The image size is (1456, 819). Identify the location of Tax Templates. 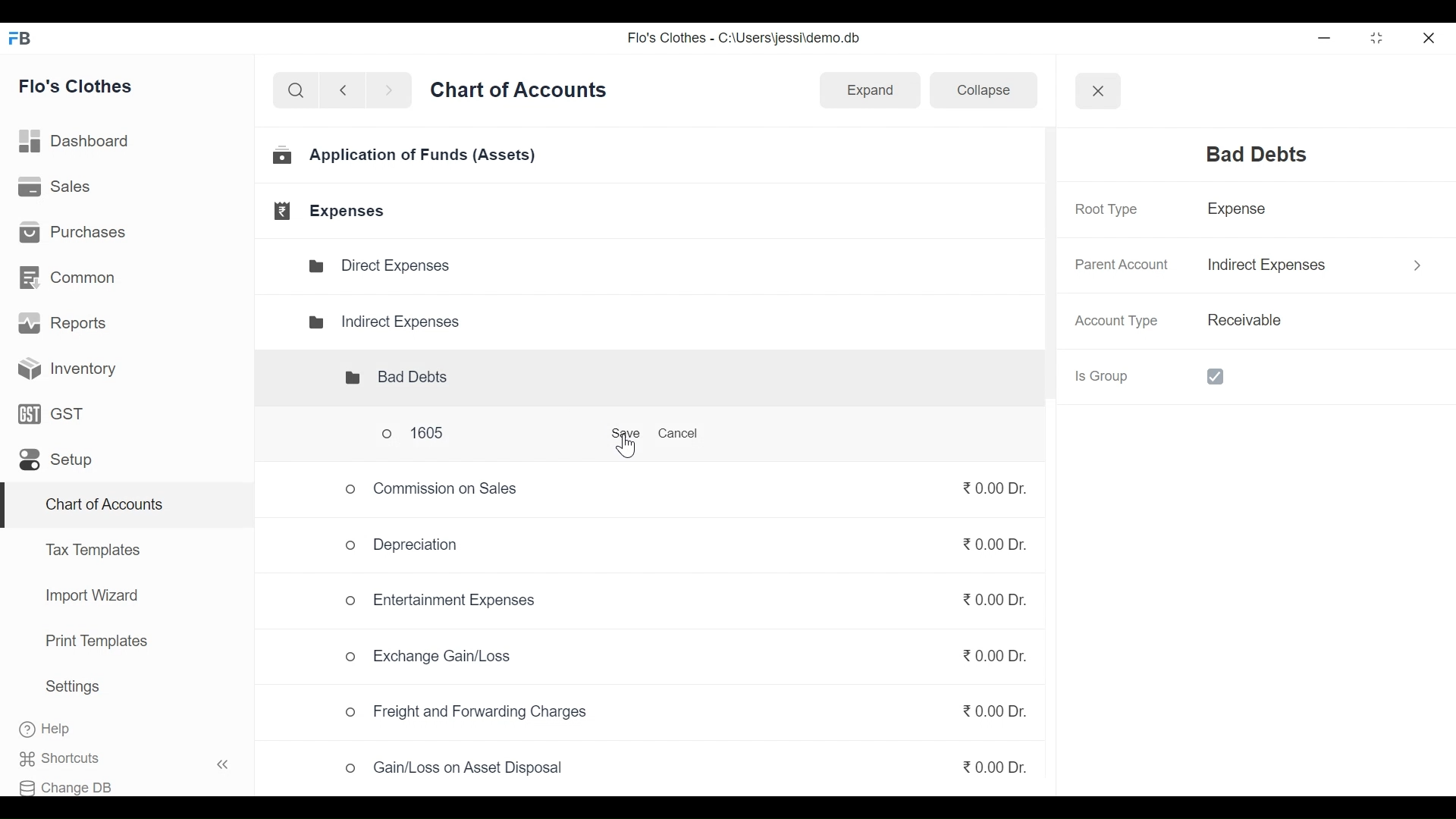
(92, 549).